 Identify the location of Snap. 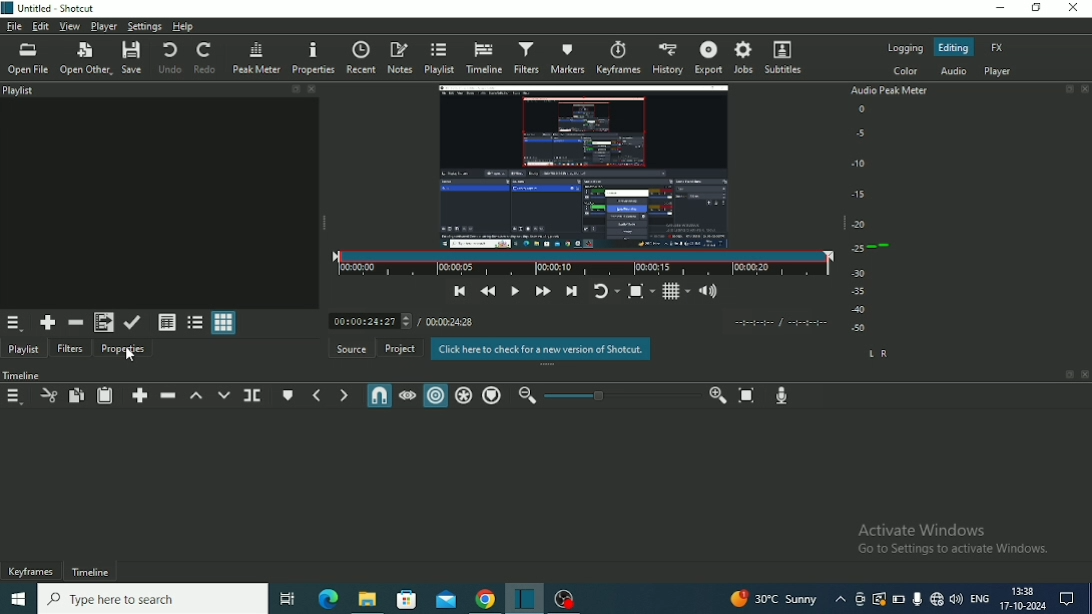
(378, 395).